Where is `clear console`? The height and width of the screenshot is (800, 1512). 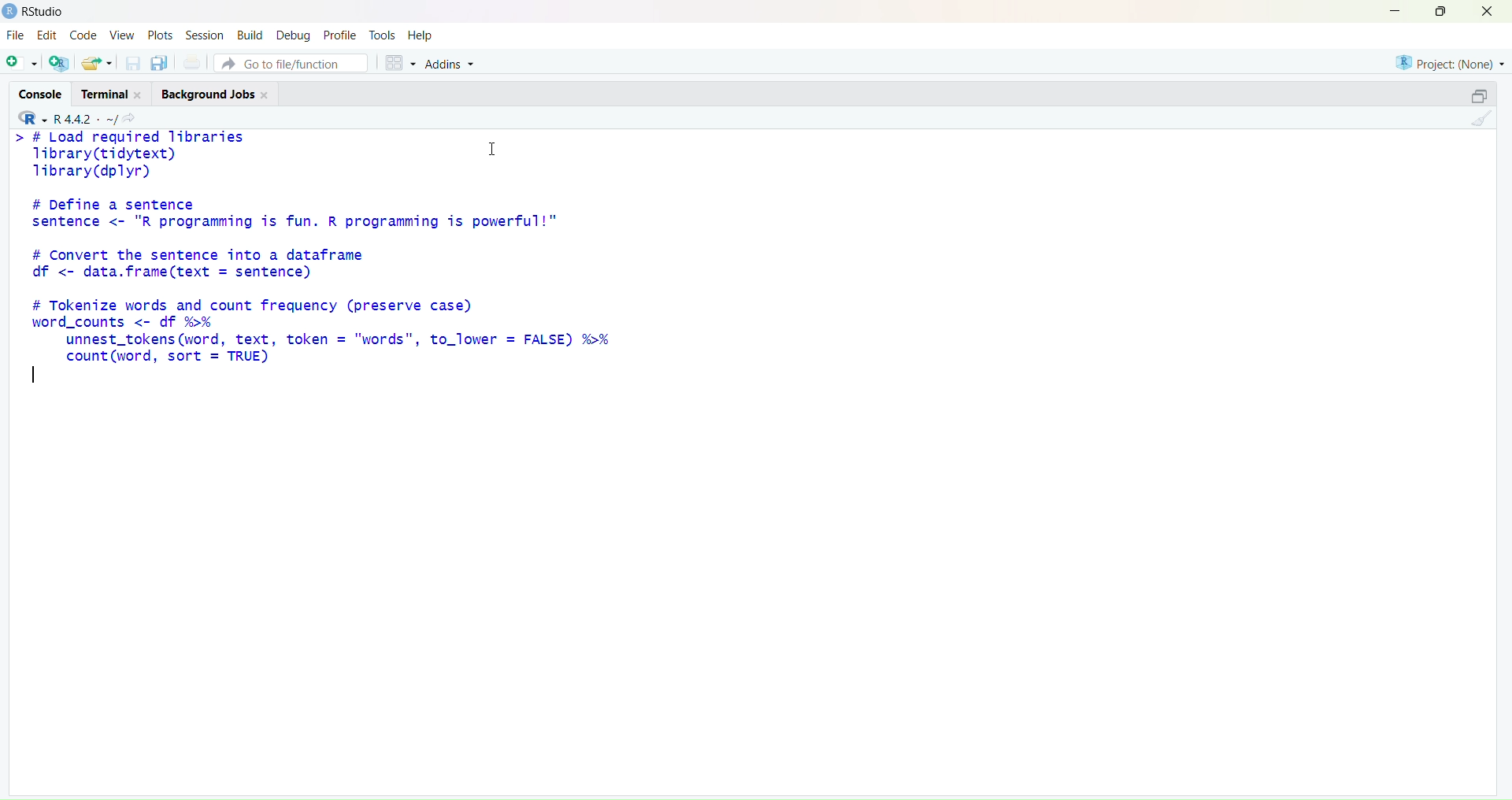 clear console is located at coordinates (1481, 120).